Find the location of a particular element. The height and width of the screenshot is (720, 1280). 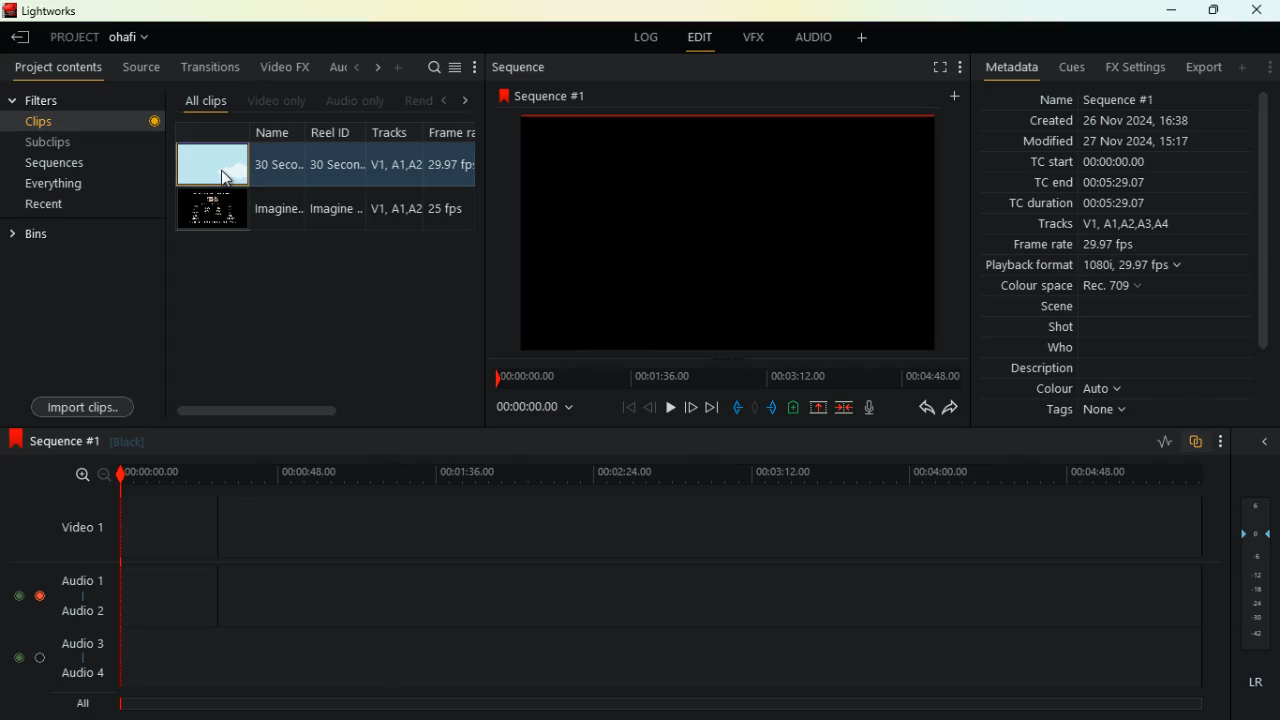

push is located at coordinates (774, 408).